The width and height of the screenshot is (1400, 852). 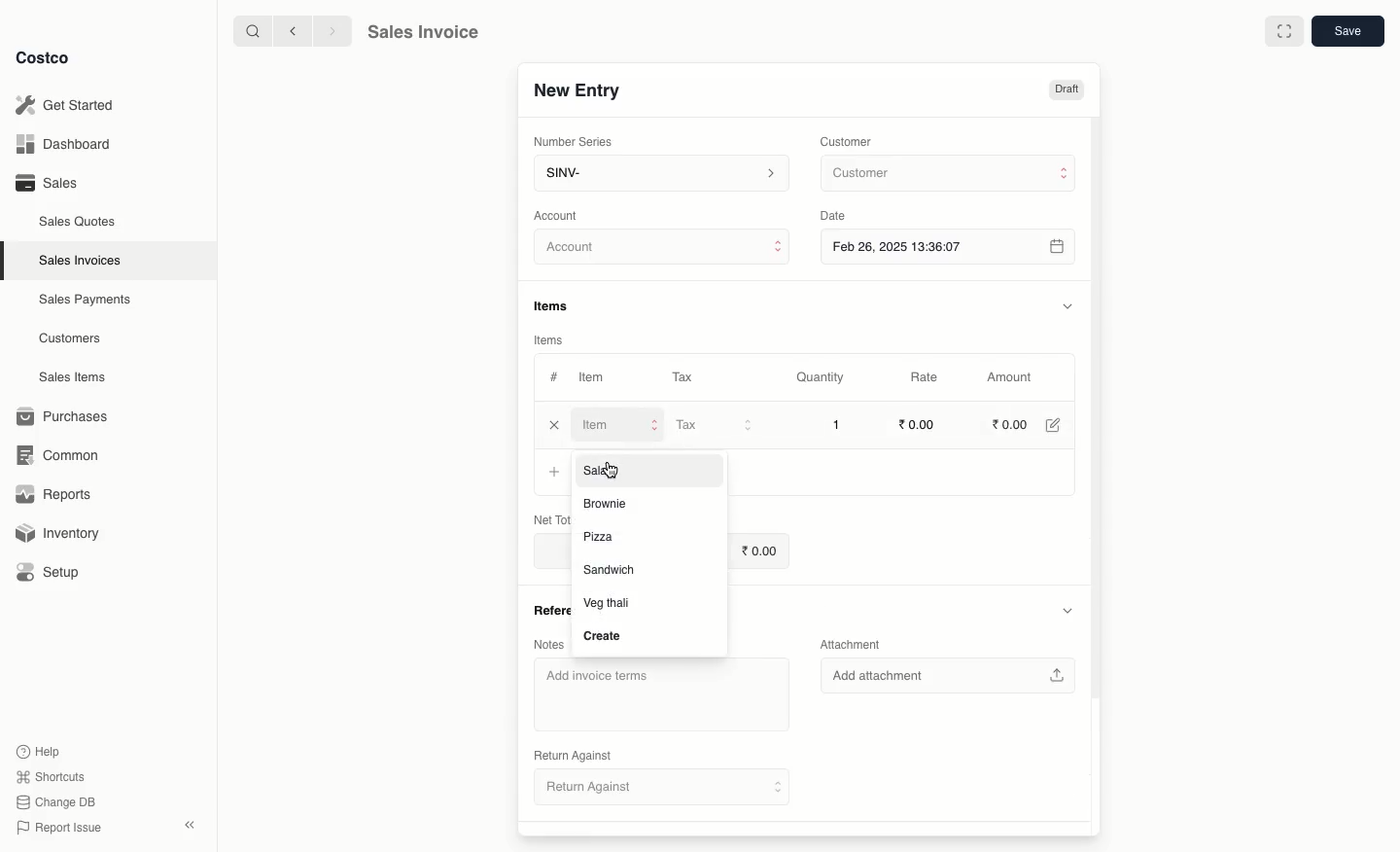 I want to click on Report Issue, so click(x=55, y=828).